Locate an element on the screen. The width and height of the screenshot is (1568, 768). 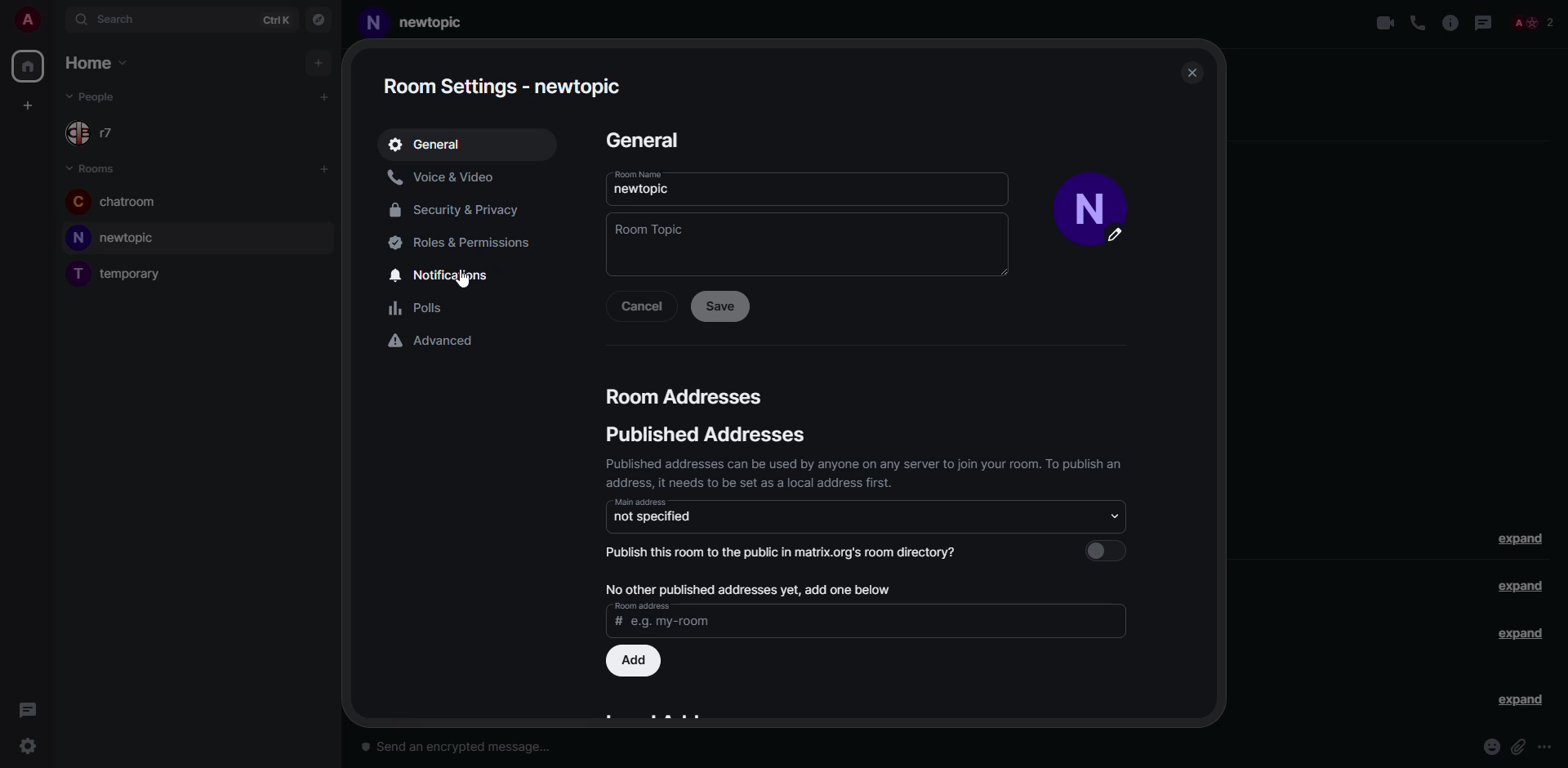
search is located at coordinates (113, 20).